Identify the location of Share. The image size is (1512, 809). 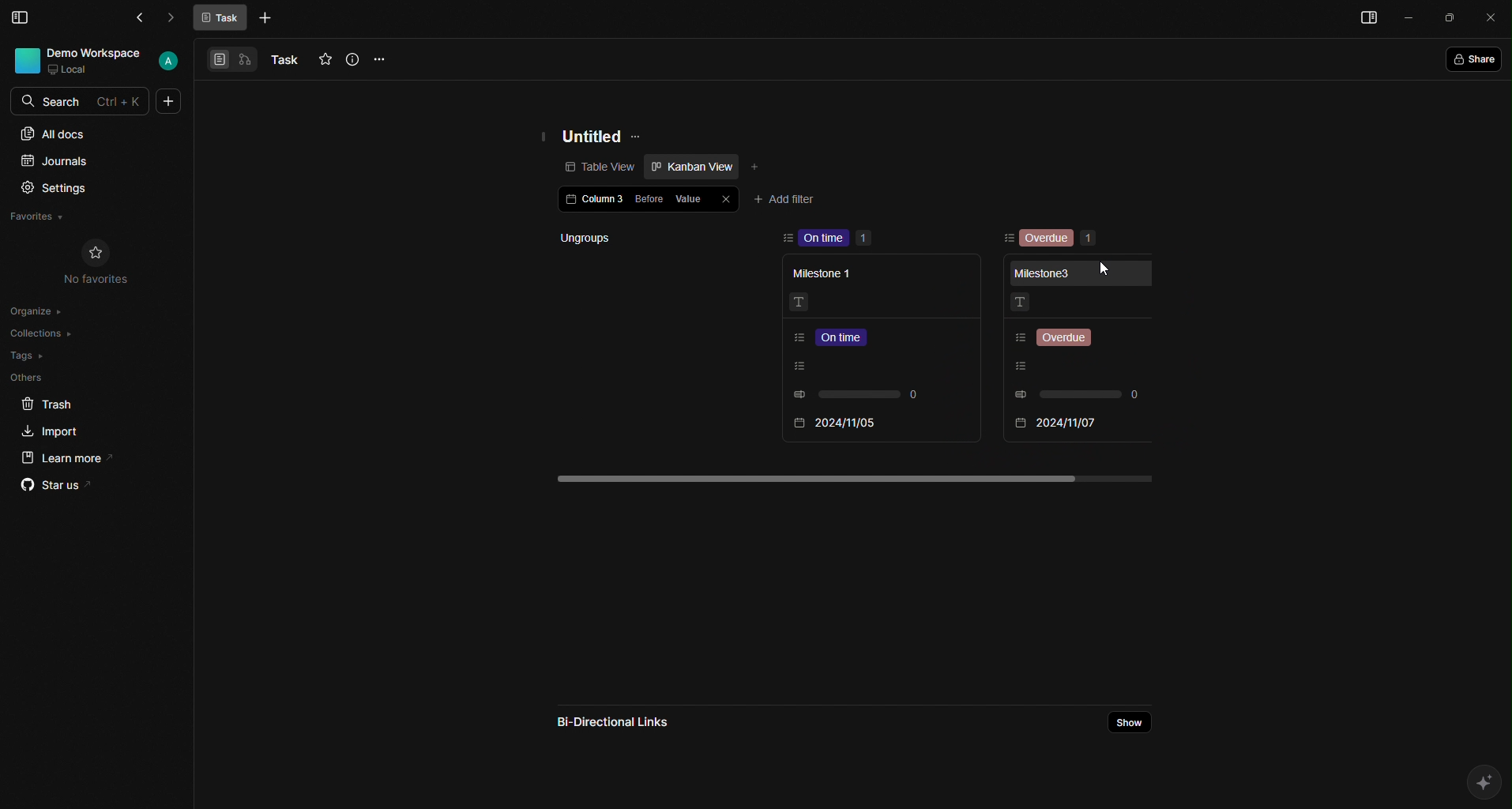
(1475, 59).